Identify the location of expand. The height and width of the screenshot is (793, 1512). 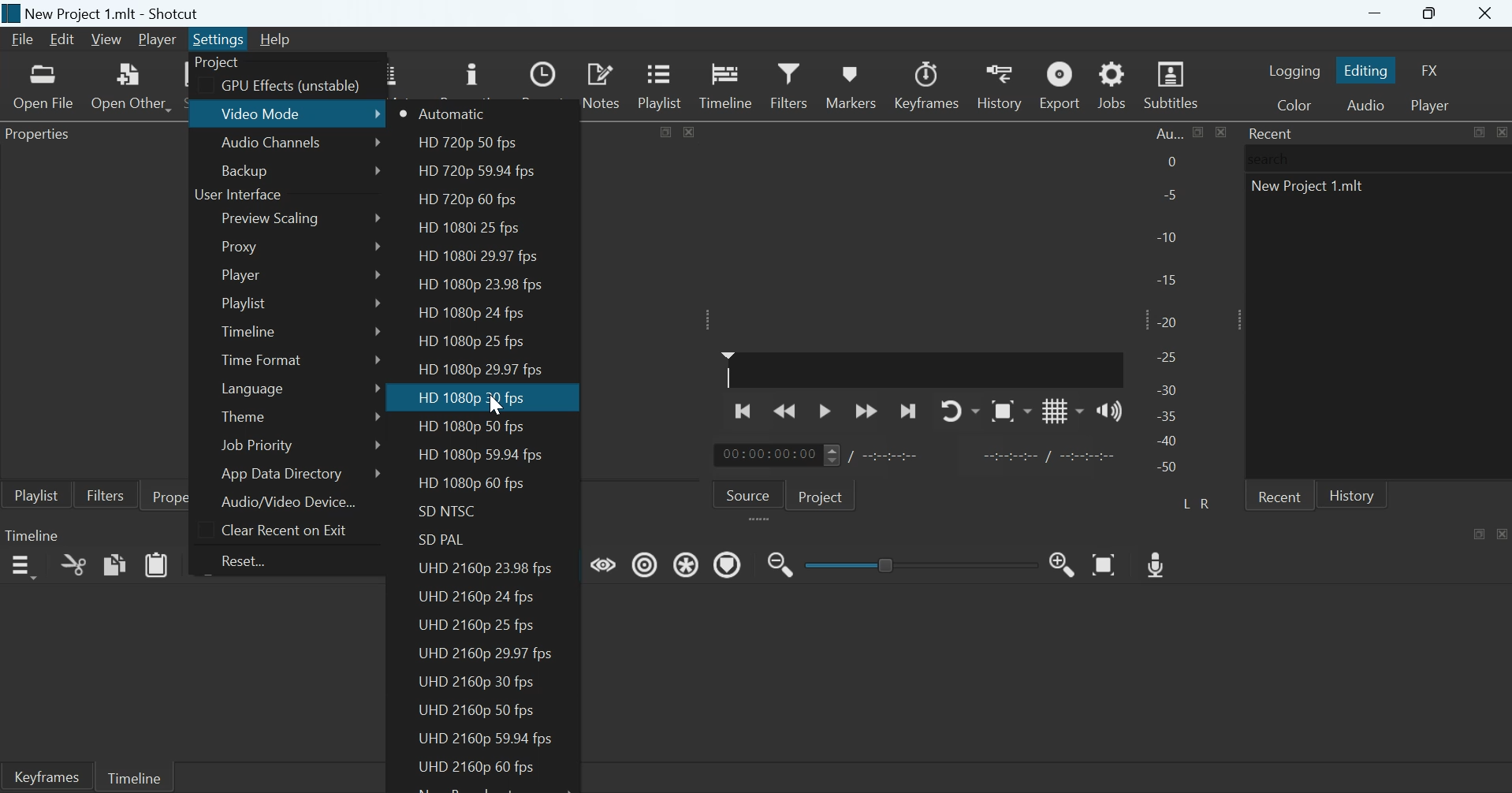
(762, 520).